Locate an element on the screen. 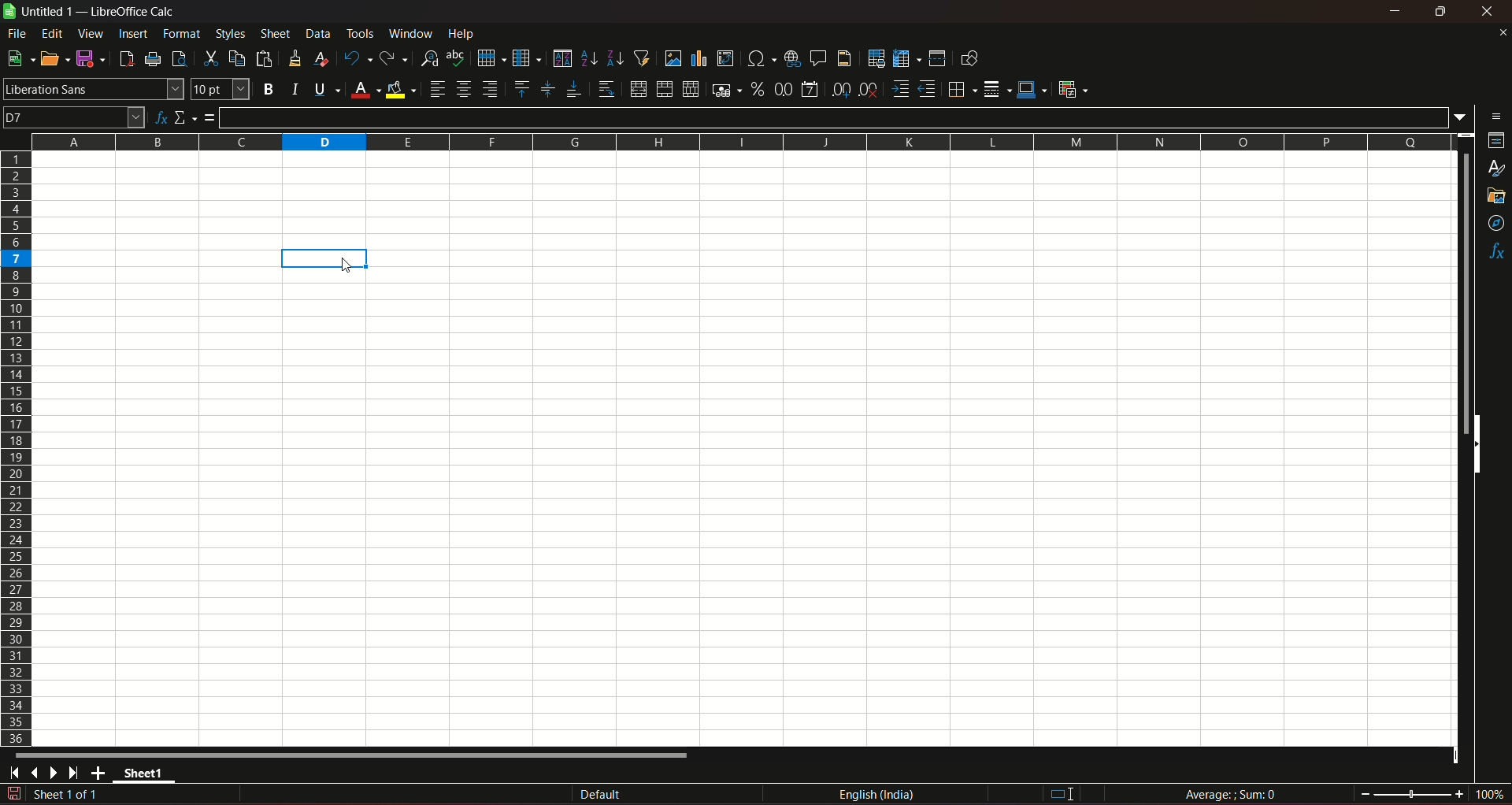  document modified is located at coordinates (13, 794).